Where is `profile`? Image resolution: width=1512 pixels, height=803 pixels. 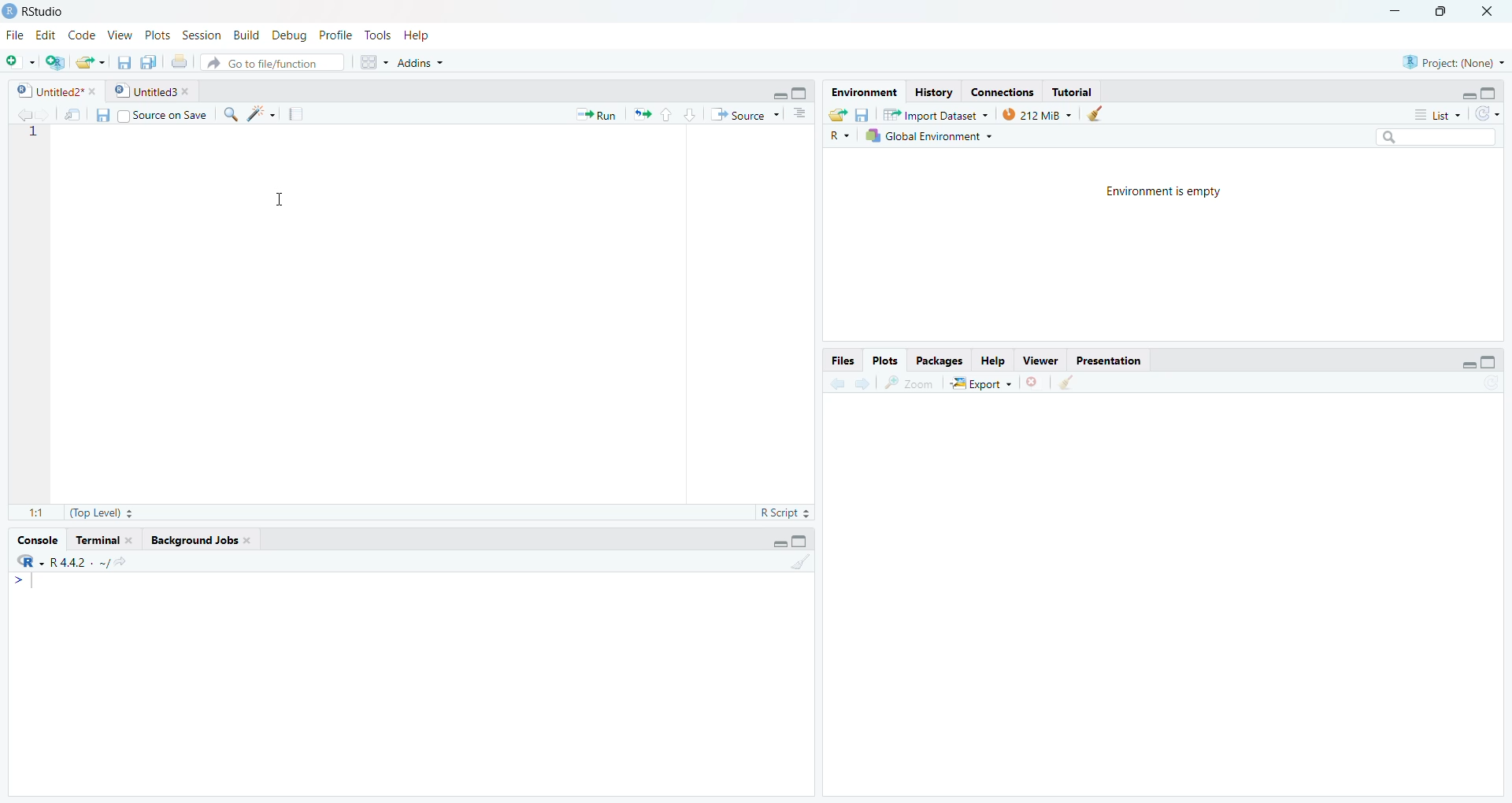 profile is located at coordinates (335, 35).